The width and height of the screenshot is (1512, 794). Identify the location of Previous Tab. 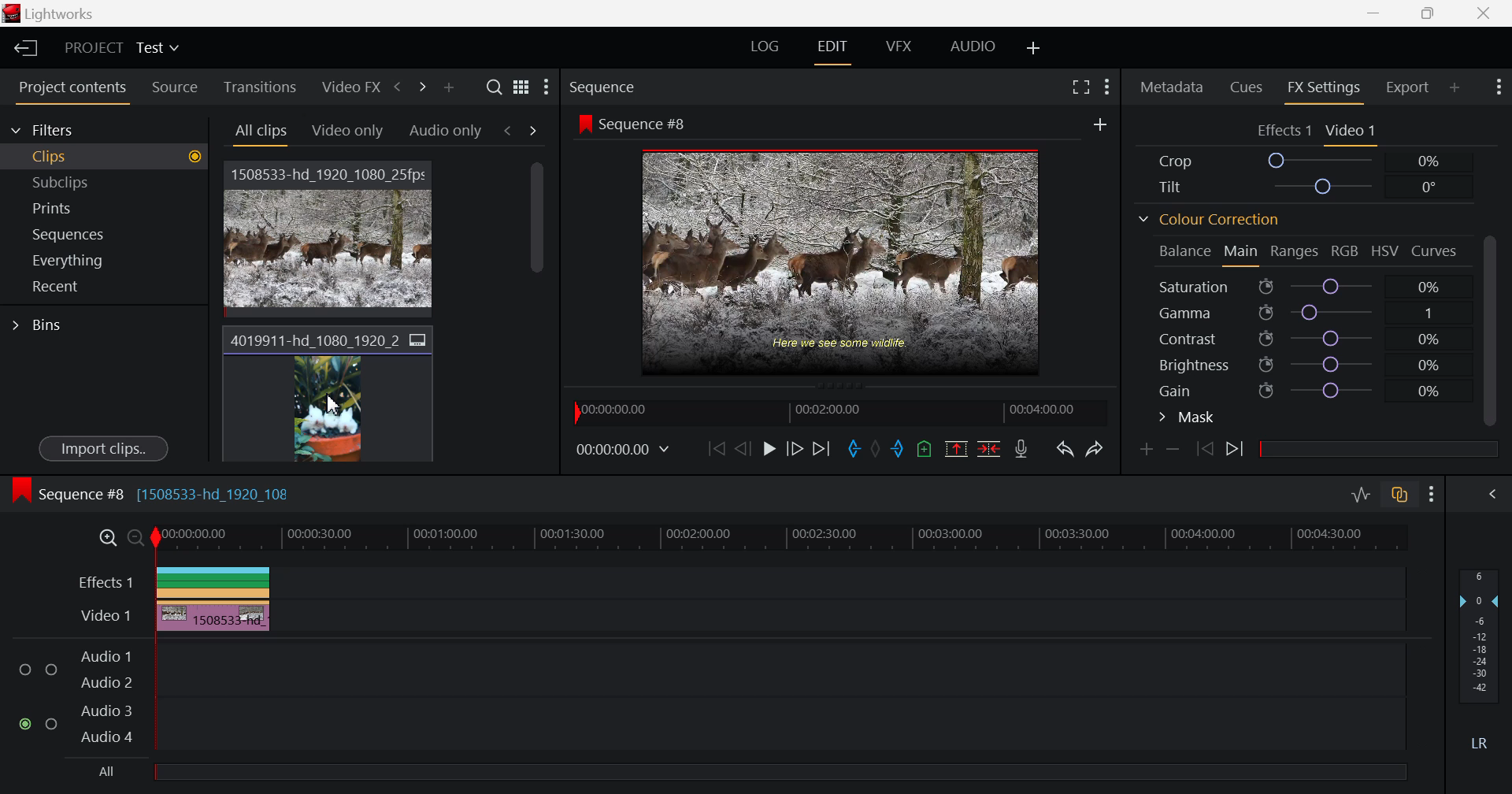
(510, 131).